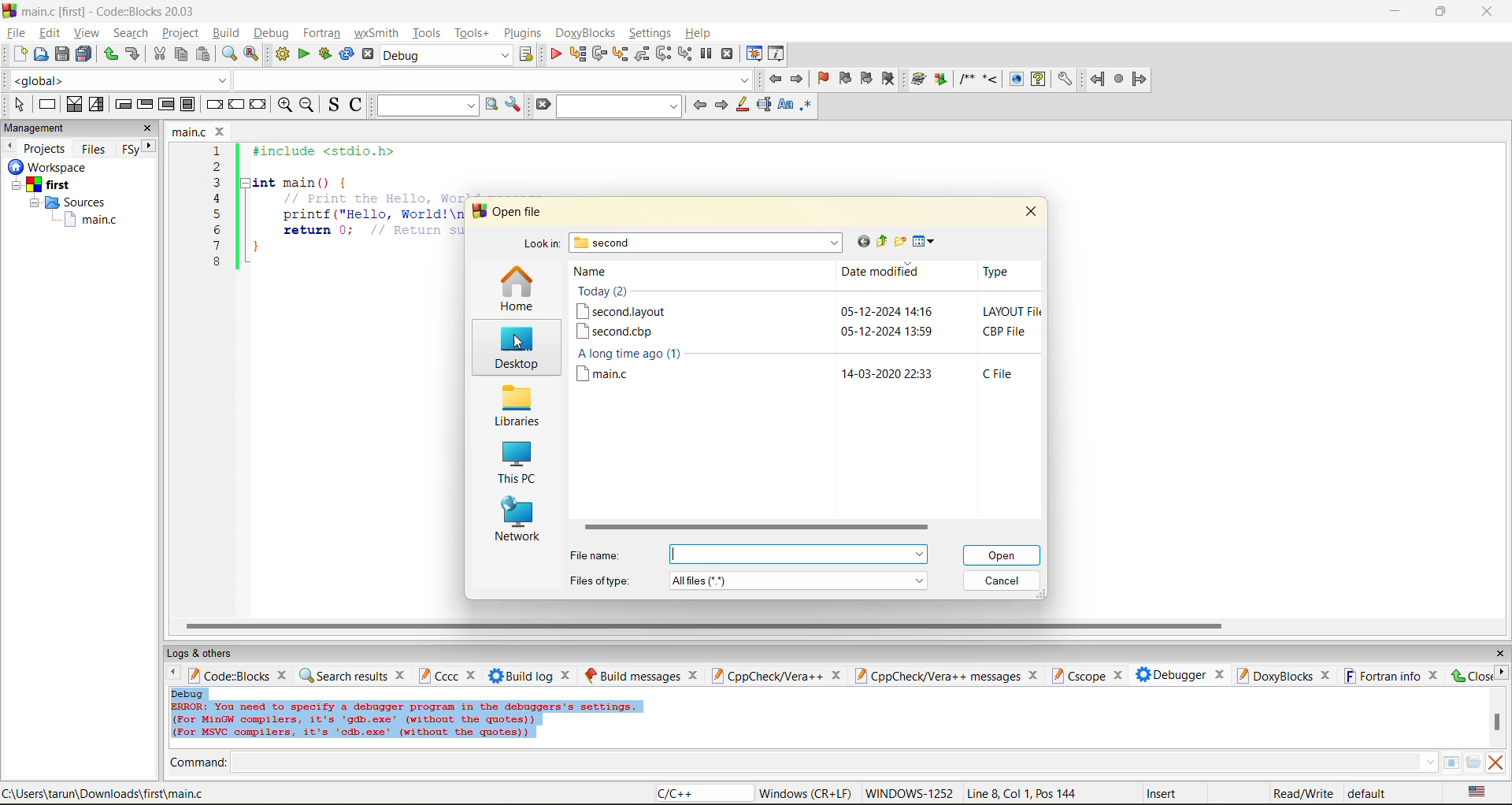  What do you see at coordinates (885, 274) in the screenshot?
I see `date modified` at bounding box center [885, 274].